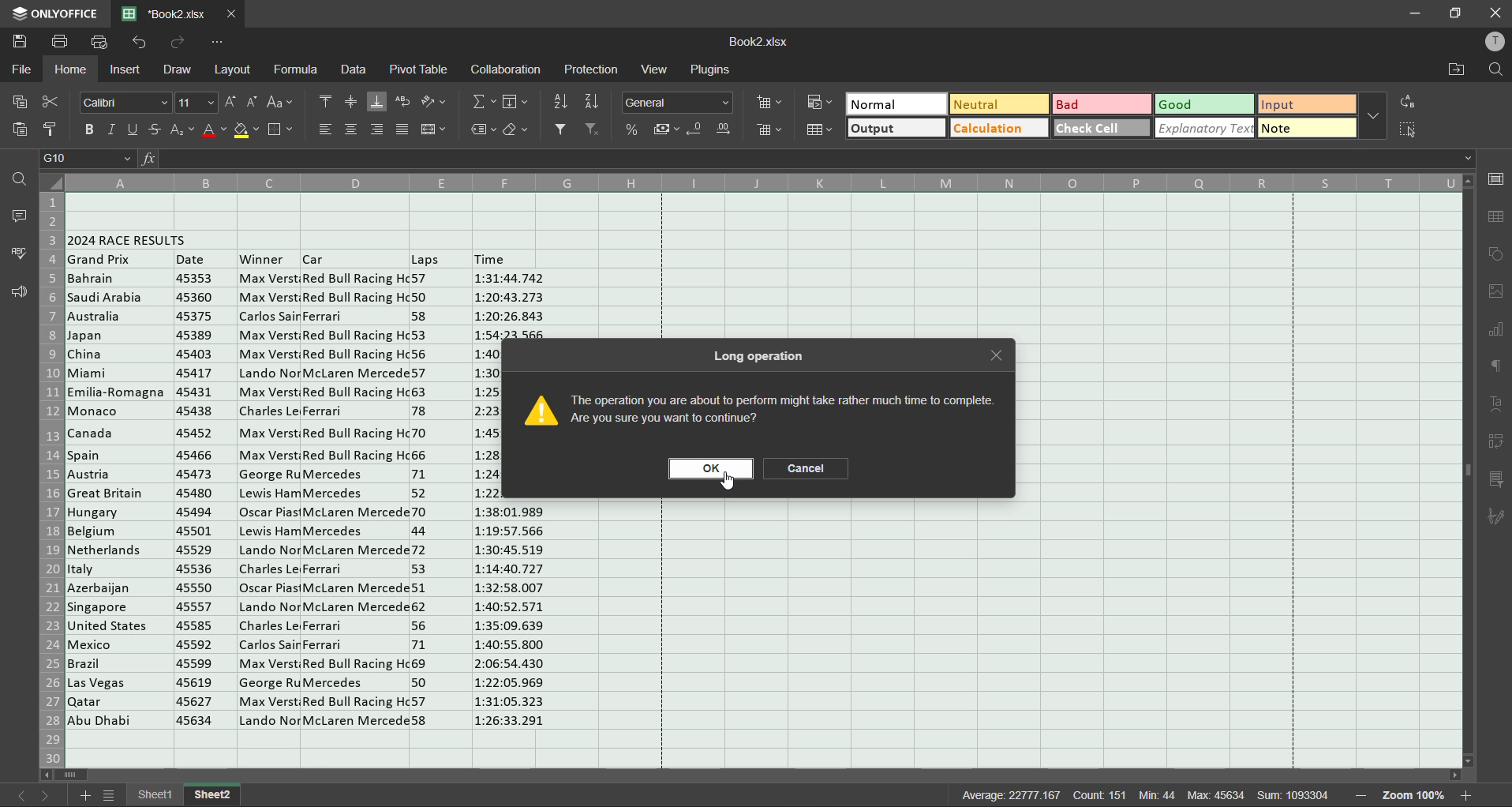  Describe the element at coordinates (659, 71) in the screenshot. I see `view` at that location.